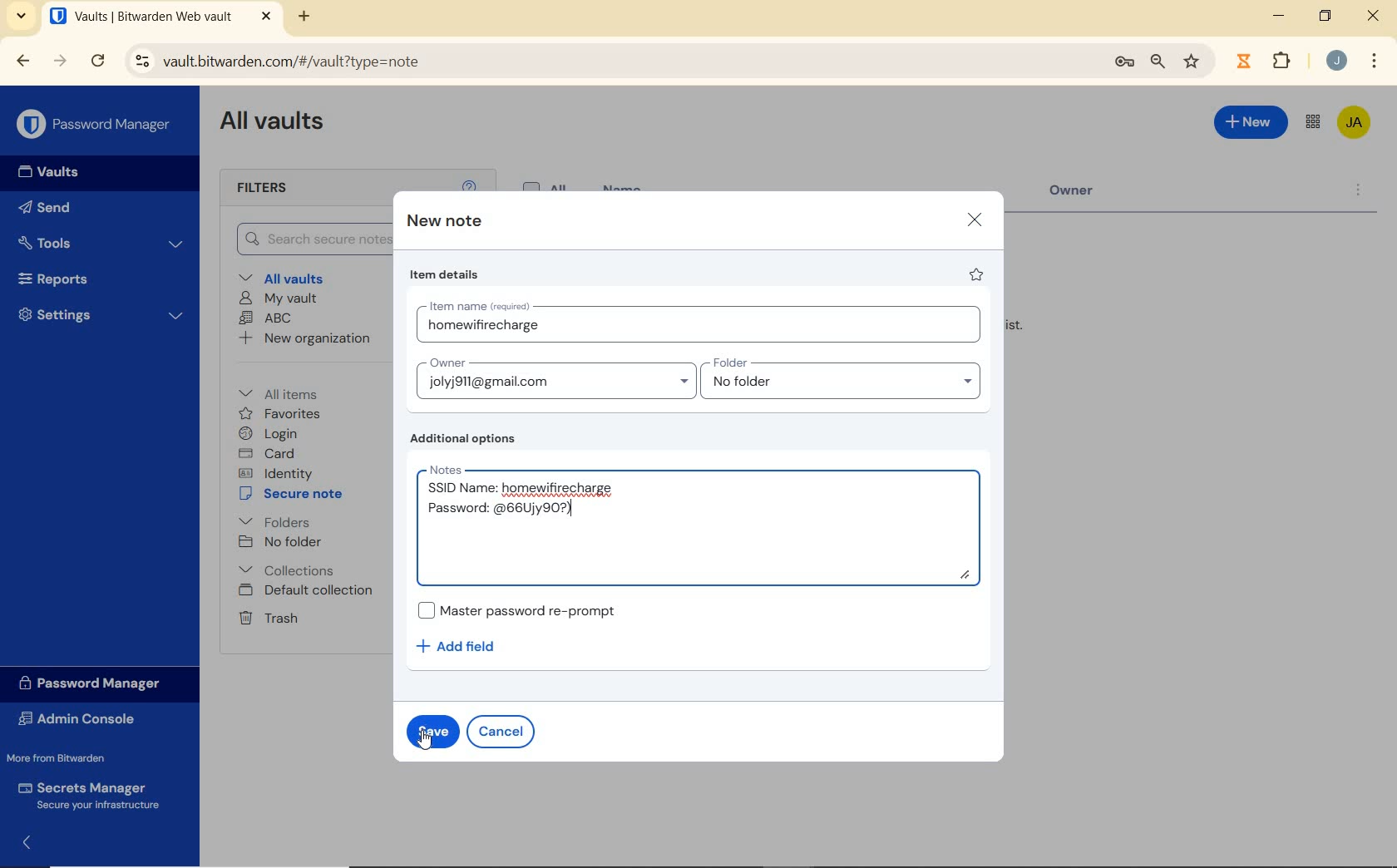 This screenshot has height=868, width=1397. Describe the element at coordinates (280, 542) in the screenshot. I see `No folder` at that location.